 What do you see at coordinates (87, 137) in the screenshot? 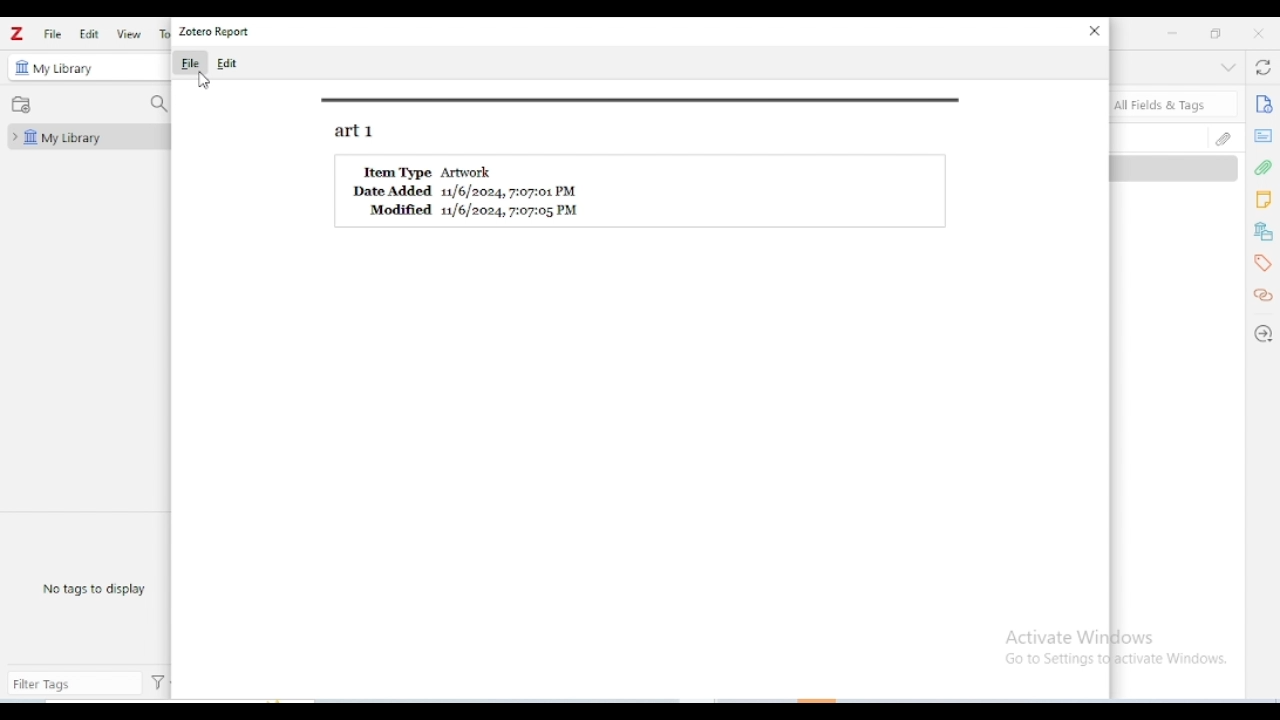
I see `my library` at bounding box center [87, 137].